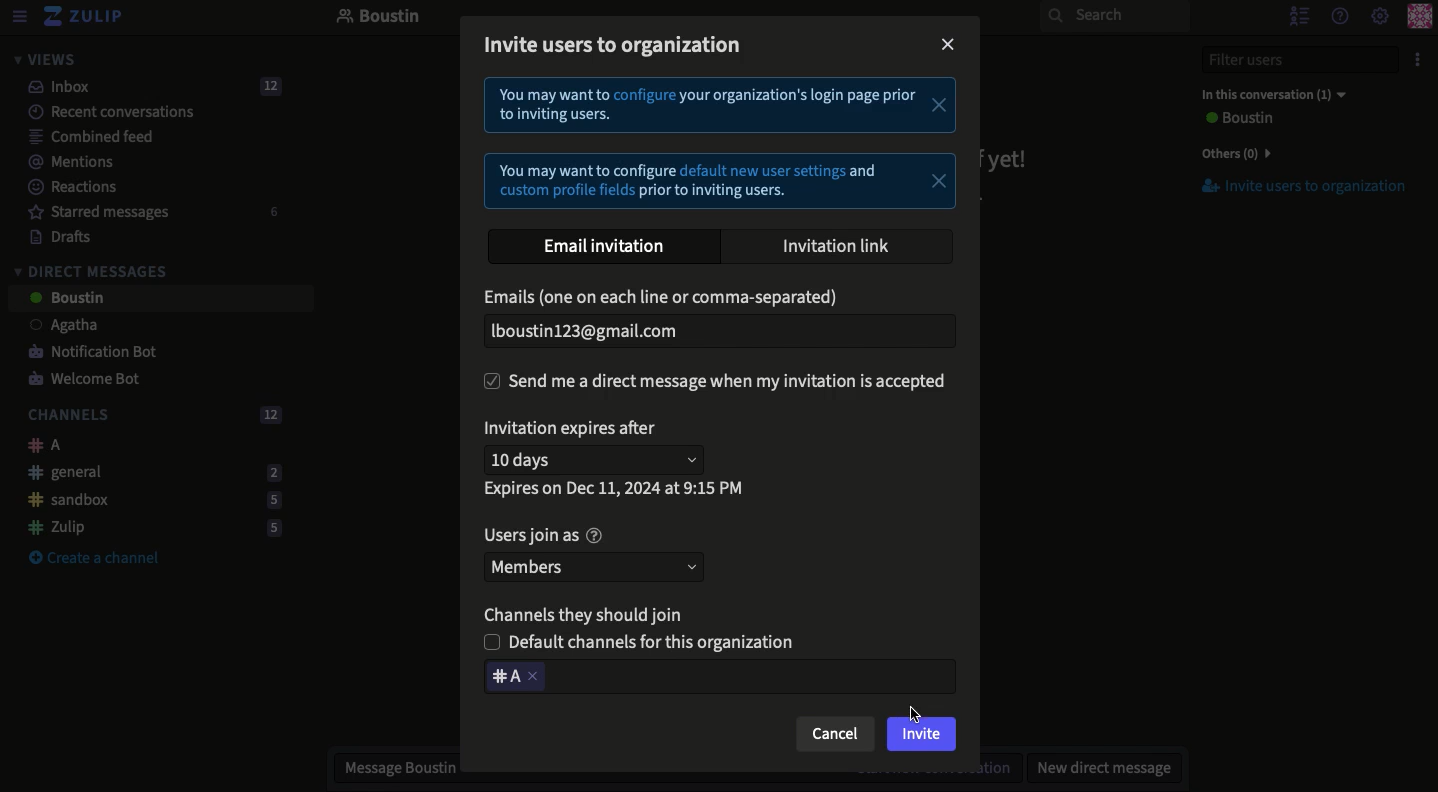 This screenshot has height=792, width=1438. I want to click on Invite for this particular channel, so click(719, 676).